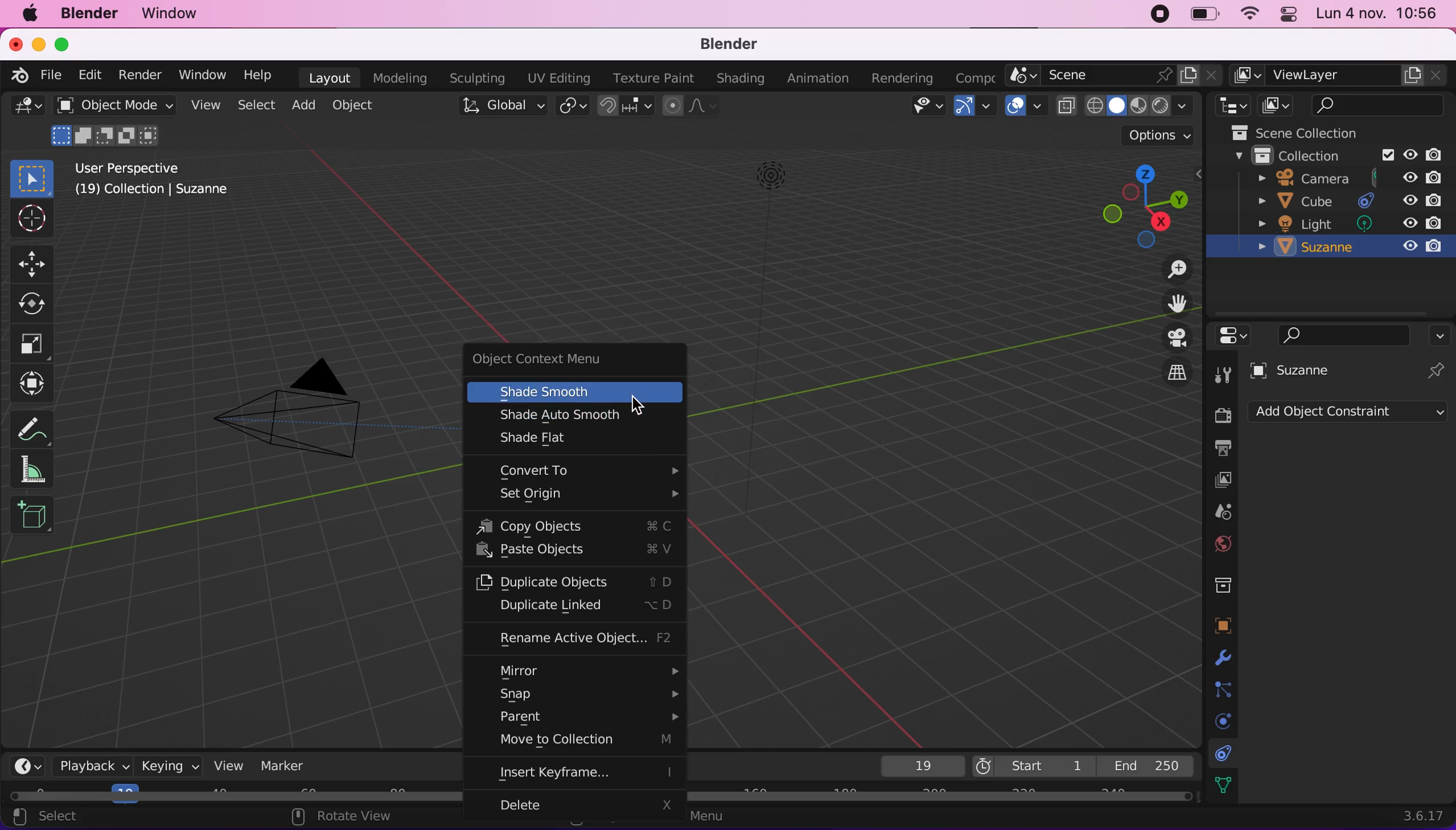 This screenshot has height=830, width=1456. What do you see at coordinates (581, 416) in the screenshot?
I see `shade auto smooth` at bounding box center [581, 416].